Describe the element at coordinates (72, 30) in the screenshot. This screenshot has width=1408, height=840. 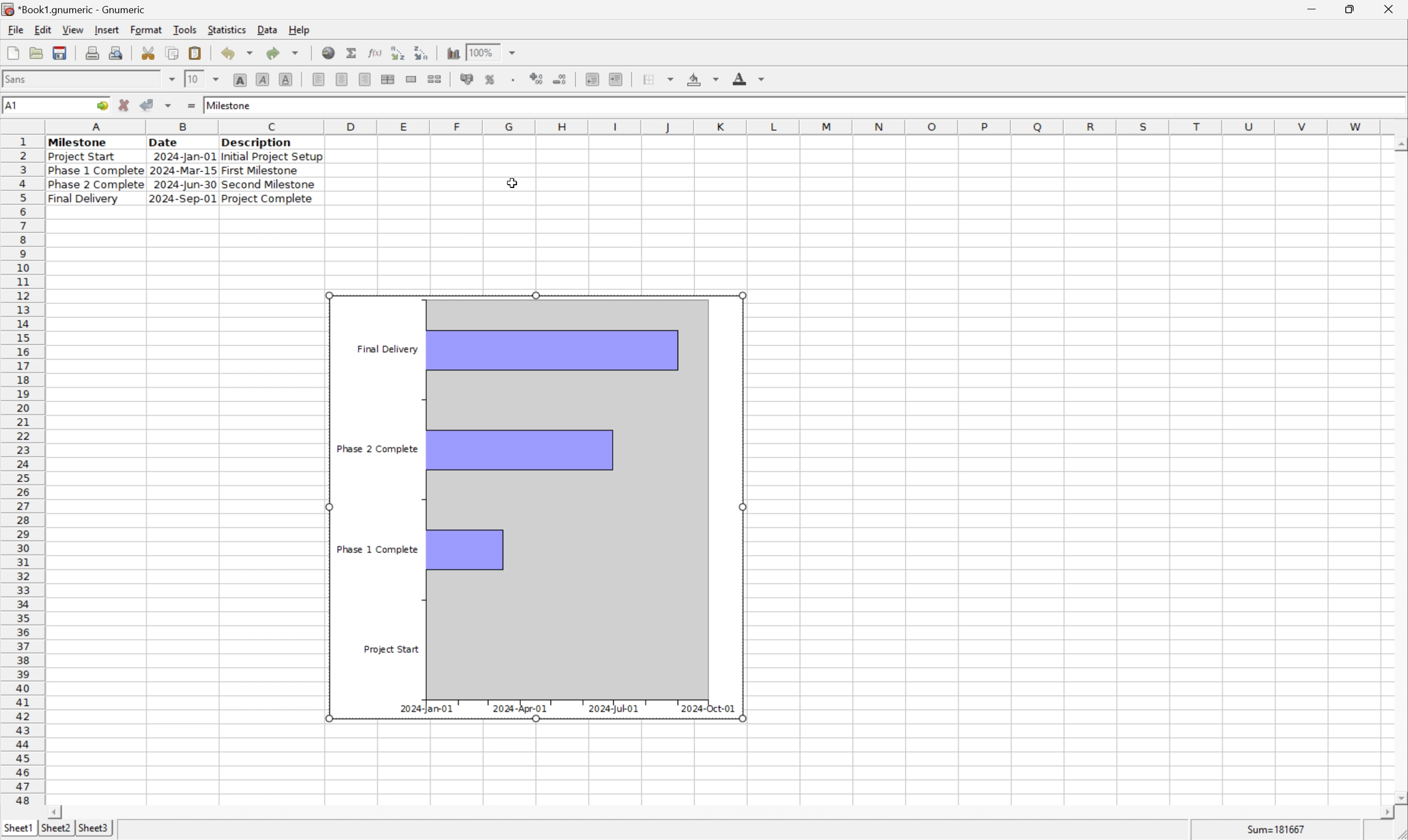
I see `view` at that location.